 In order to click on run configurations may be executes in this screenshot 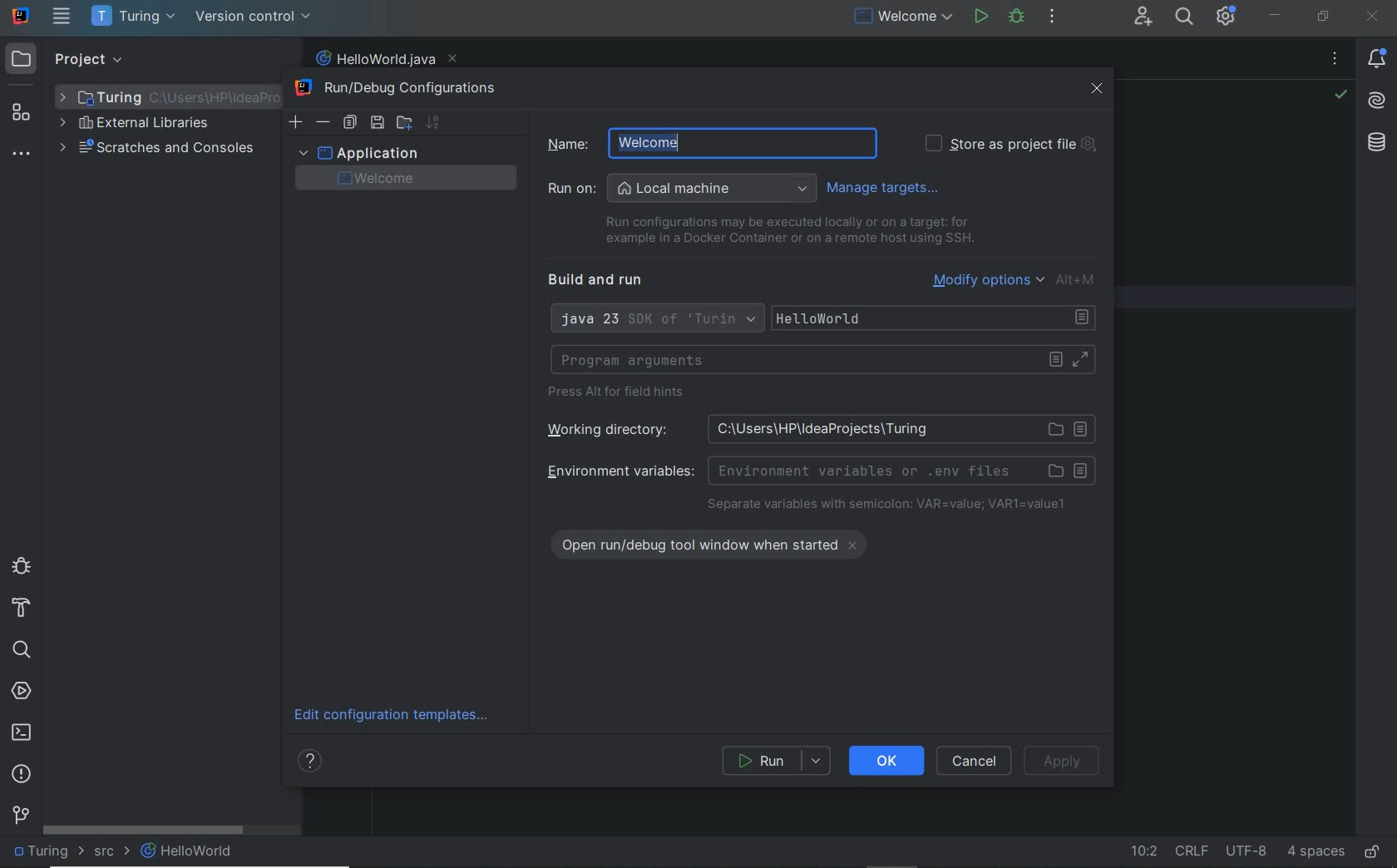, I will do `click(783, 230)`.